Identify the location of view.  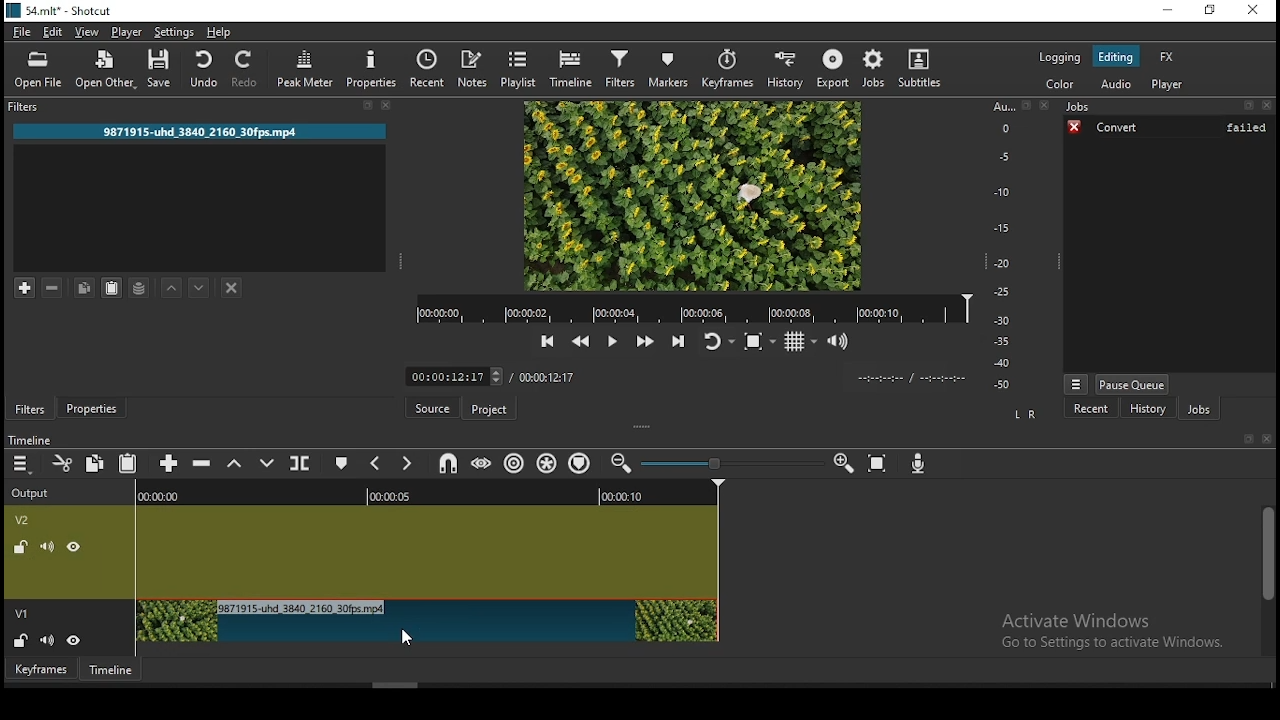
(87, 33).